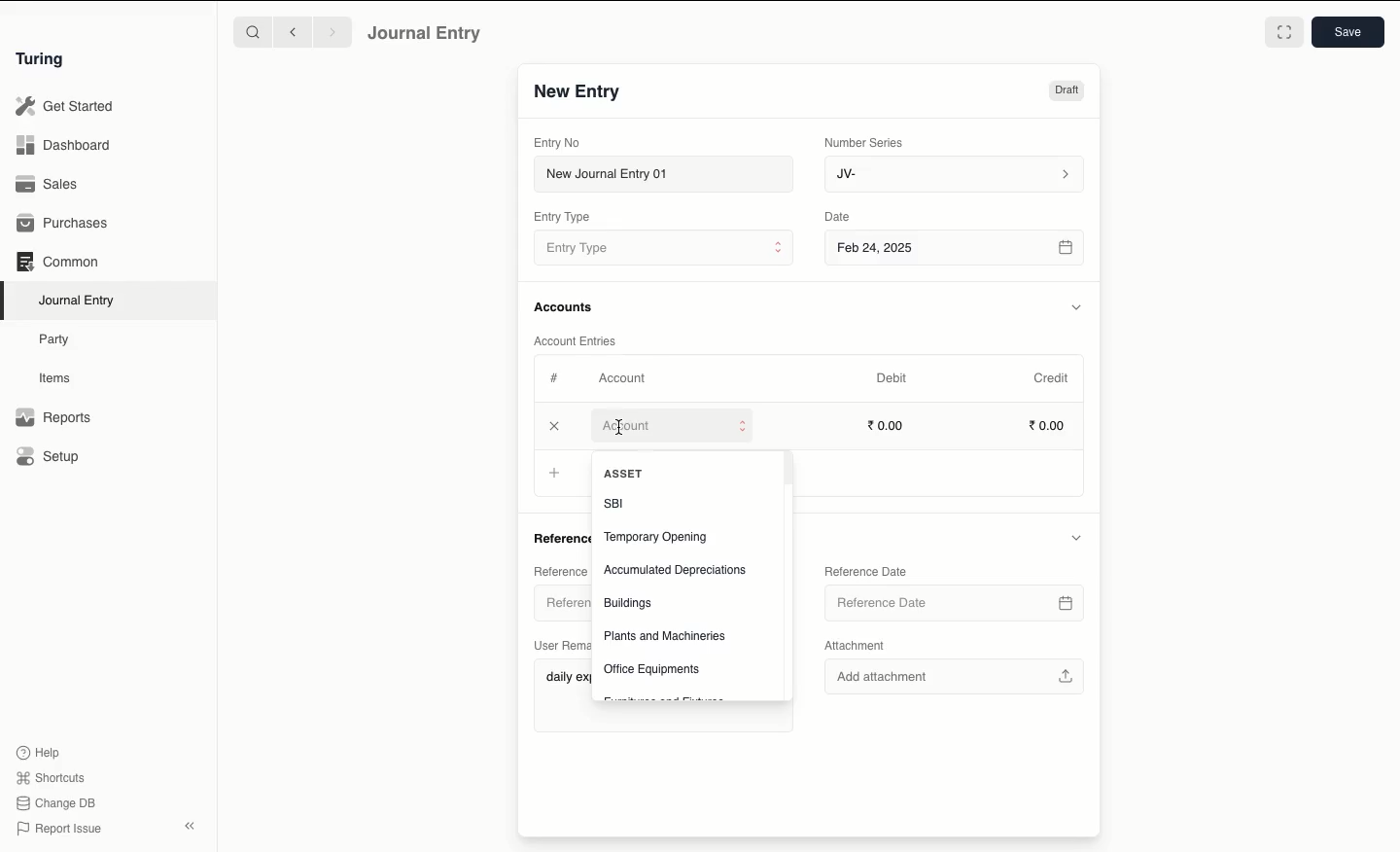  What do you see at coordinates (59, 340) in the screenshot?
I see `Party` at bounding box center [59, 340].